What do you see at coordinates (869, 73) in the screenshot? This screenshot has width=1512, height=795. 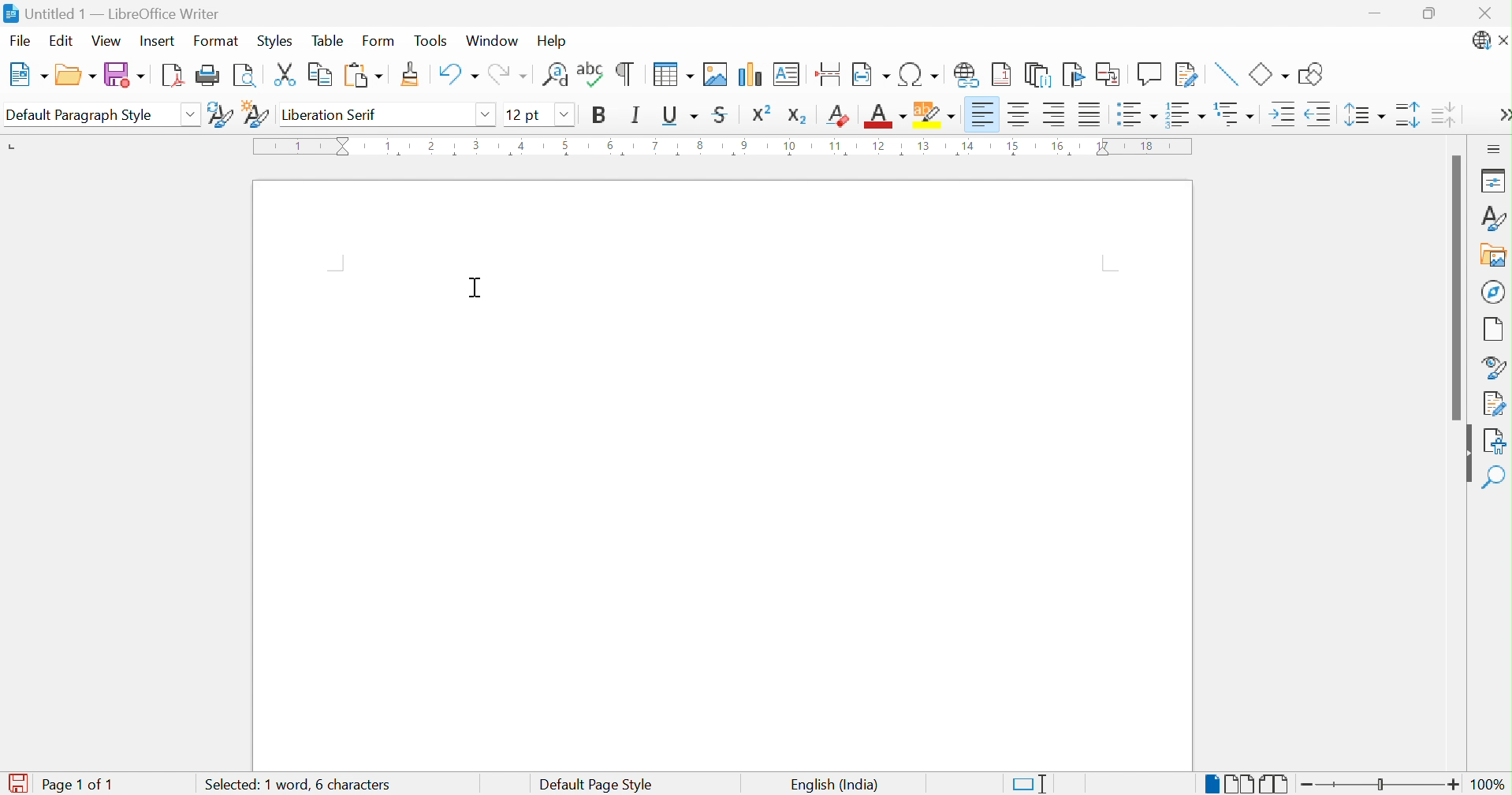 I see `Insert Field` at bounding box center [869, 73].